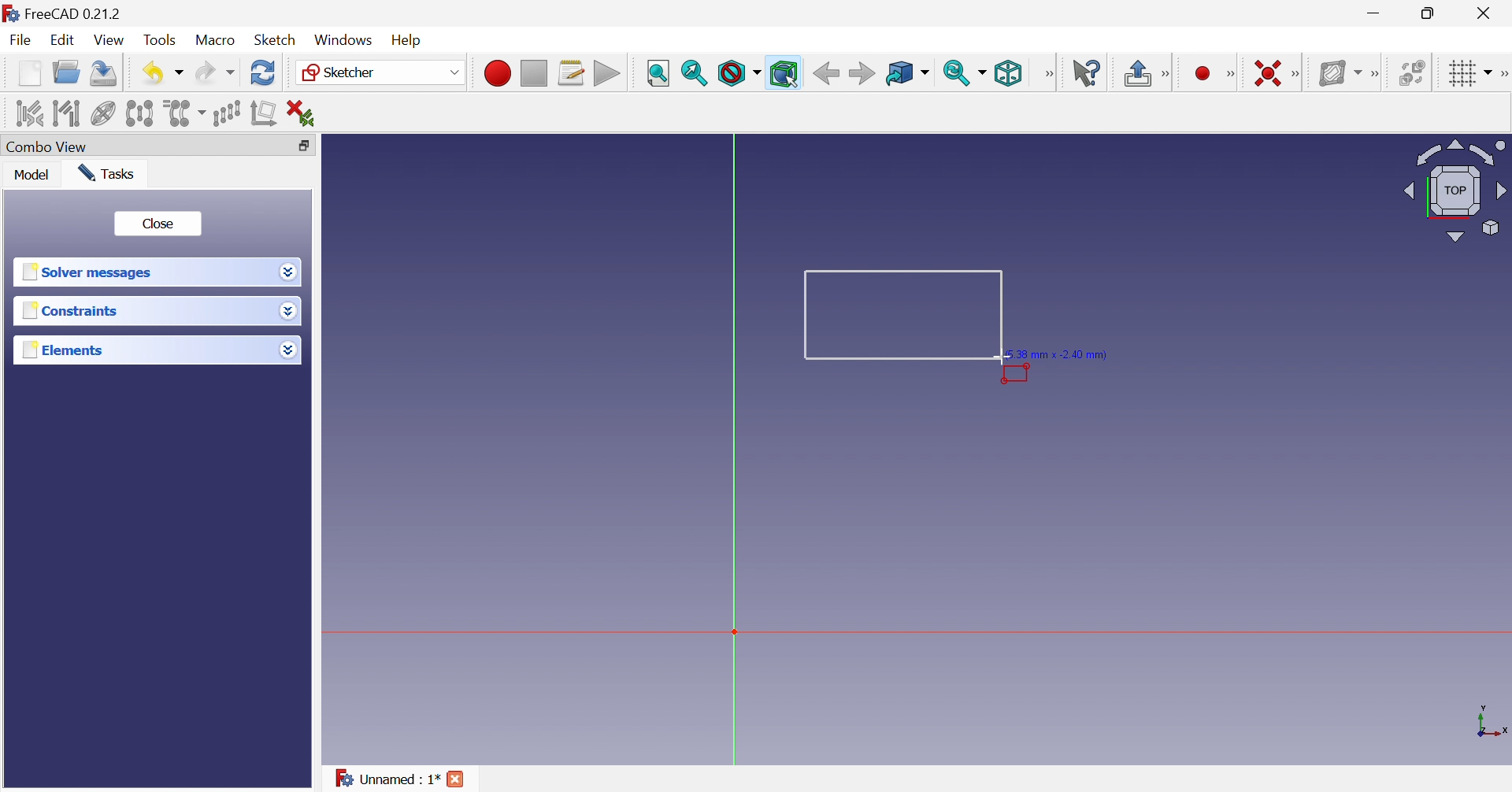 The image size is (1512, 792). What do you see at coordinates (306, 147) in the screenshot?
I see `Restore down` at bounding box center [306, 147].